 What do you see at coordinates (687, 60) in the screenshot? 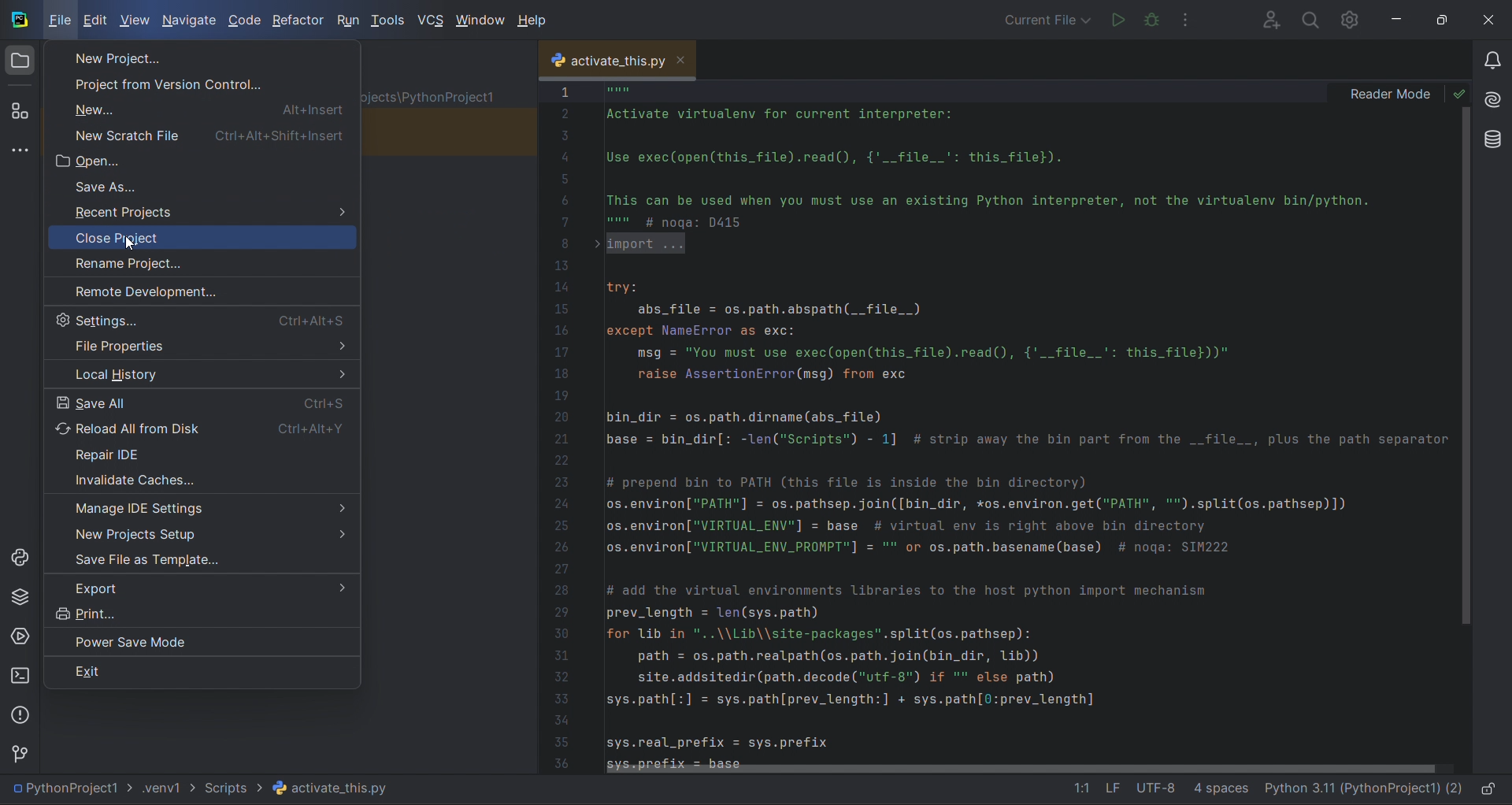
I see `close` at bounding box center [687, 60].